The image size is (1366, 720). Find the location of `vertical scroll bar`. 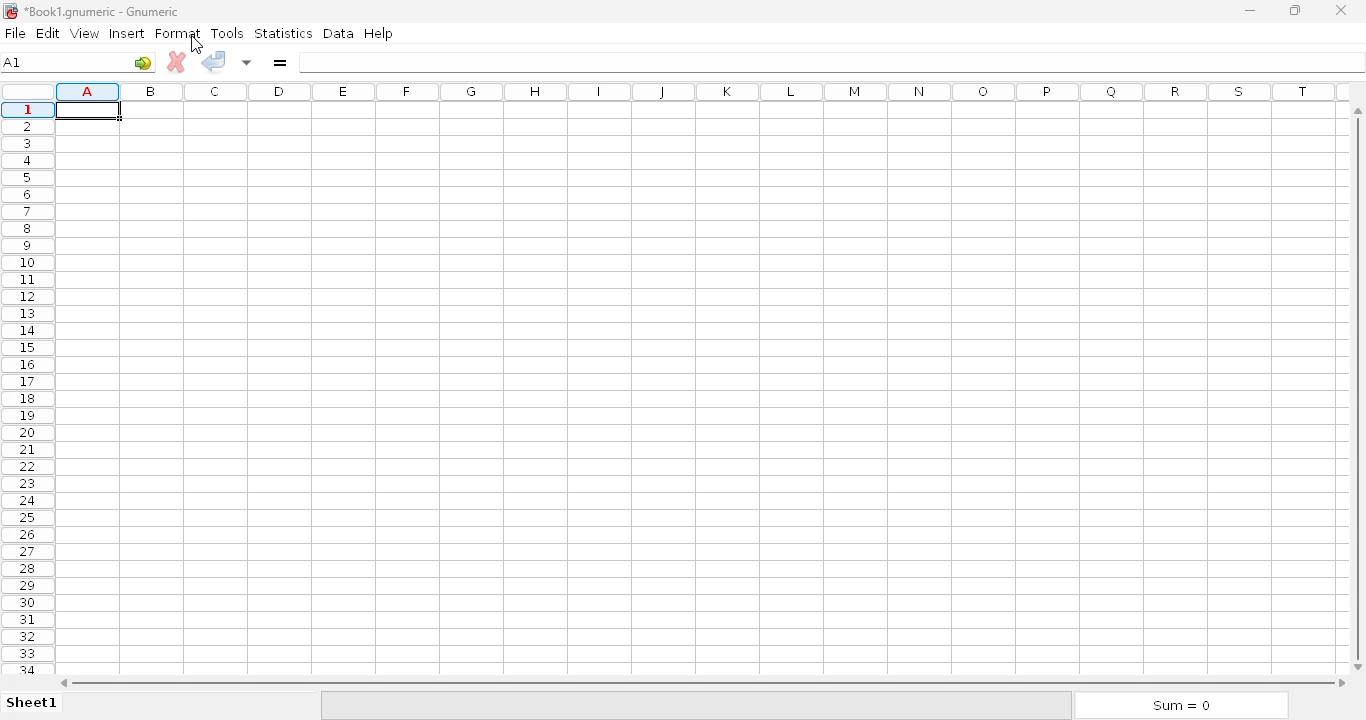

vertical scroll bar is located at coordinates (1361, 387).